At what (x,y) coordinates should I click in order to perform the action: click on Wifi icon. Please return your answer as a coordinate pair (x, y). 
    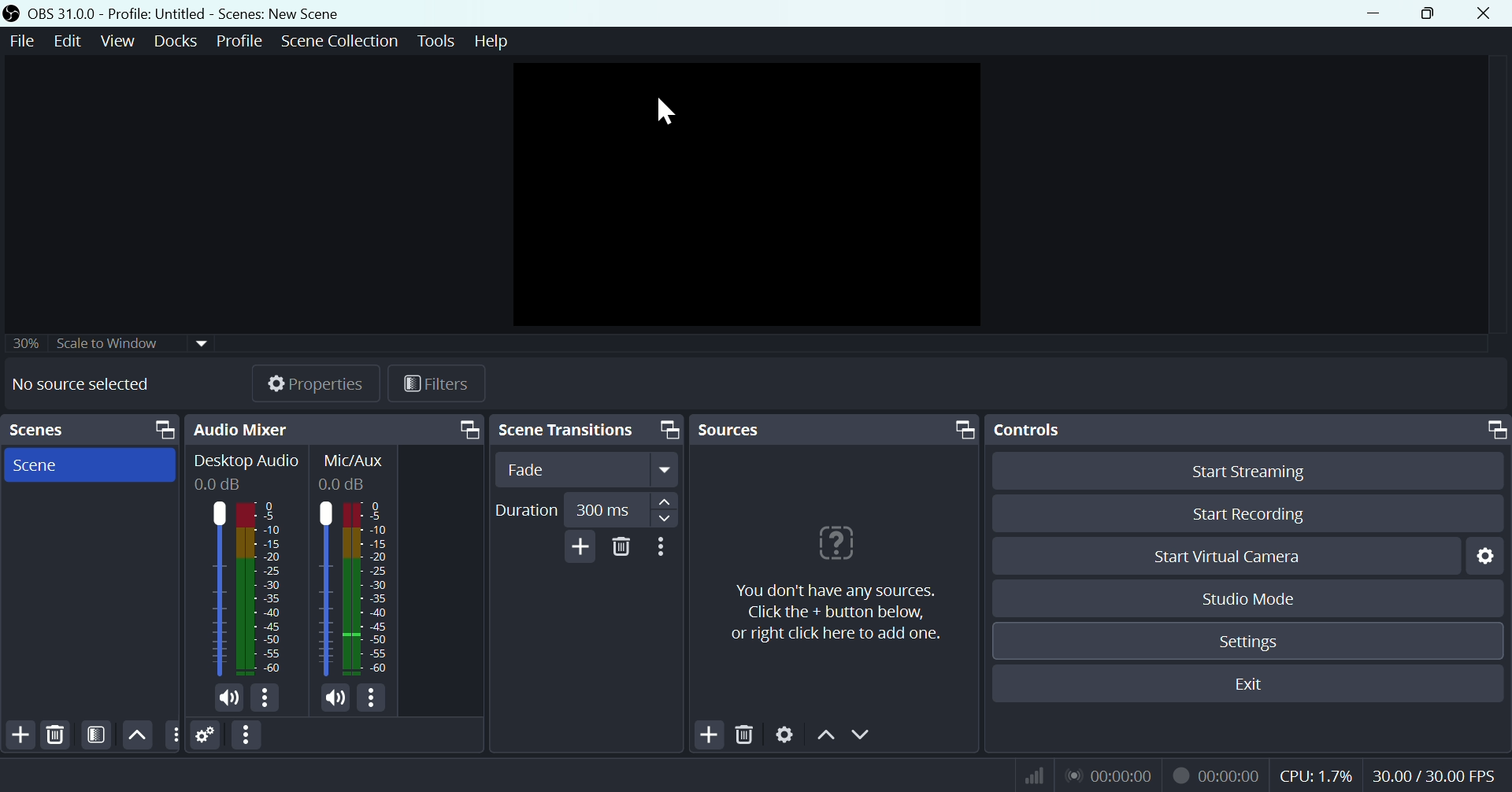
    Looking at the image, I should click on (1037, 775).